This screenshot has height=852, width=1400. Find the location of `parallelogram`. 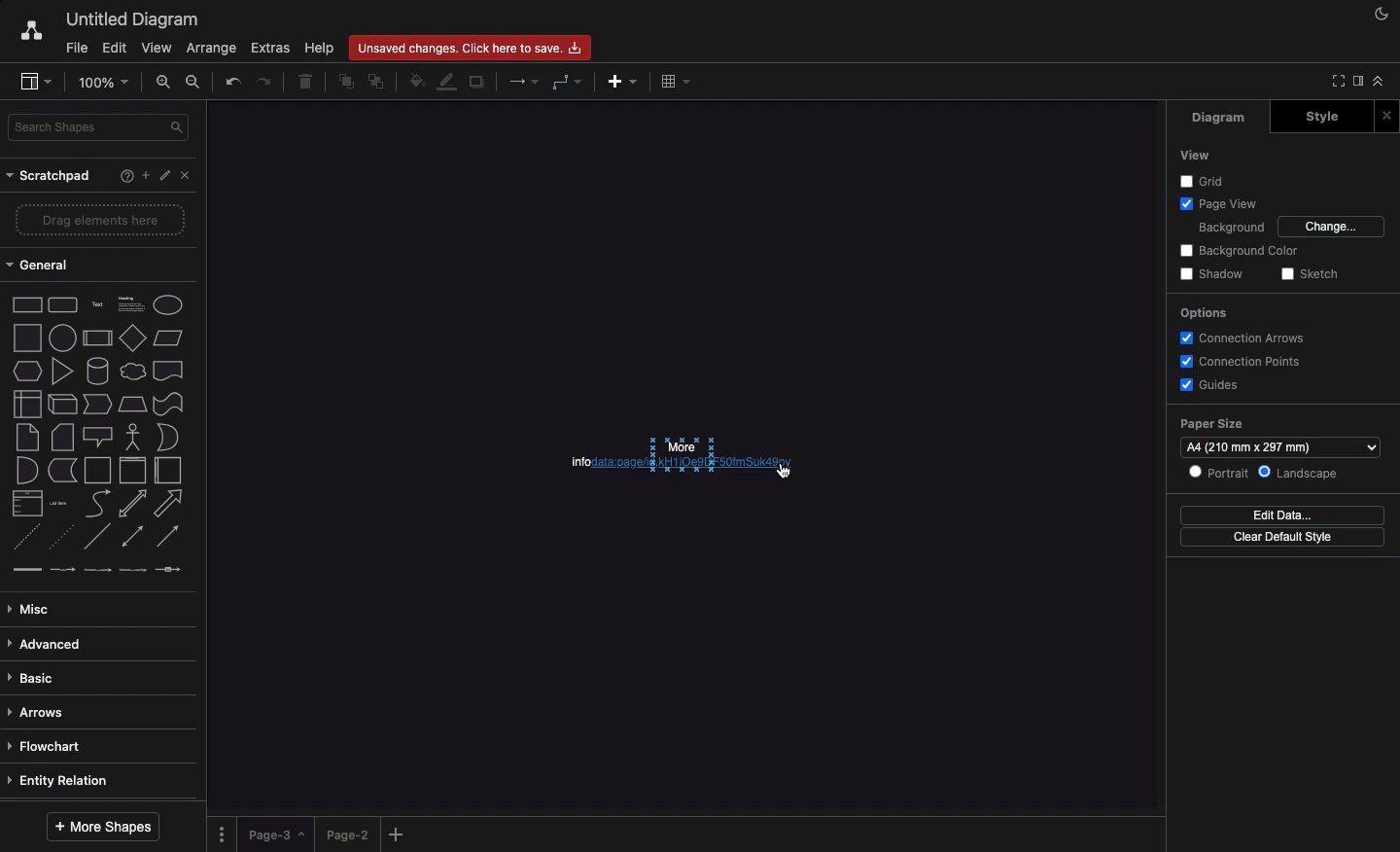

parallelogram is located at coordinates (168, 337).